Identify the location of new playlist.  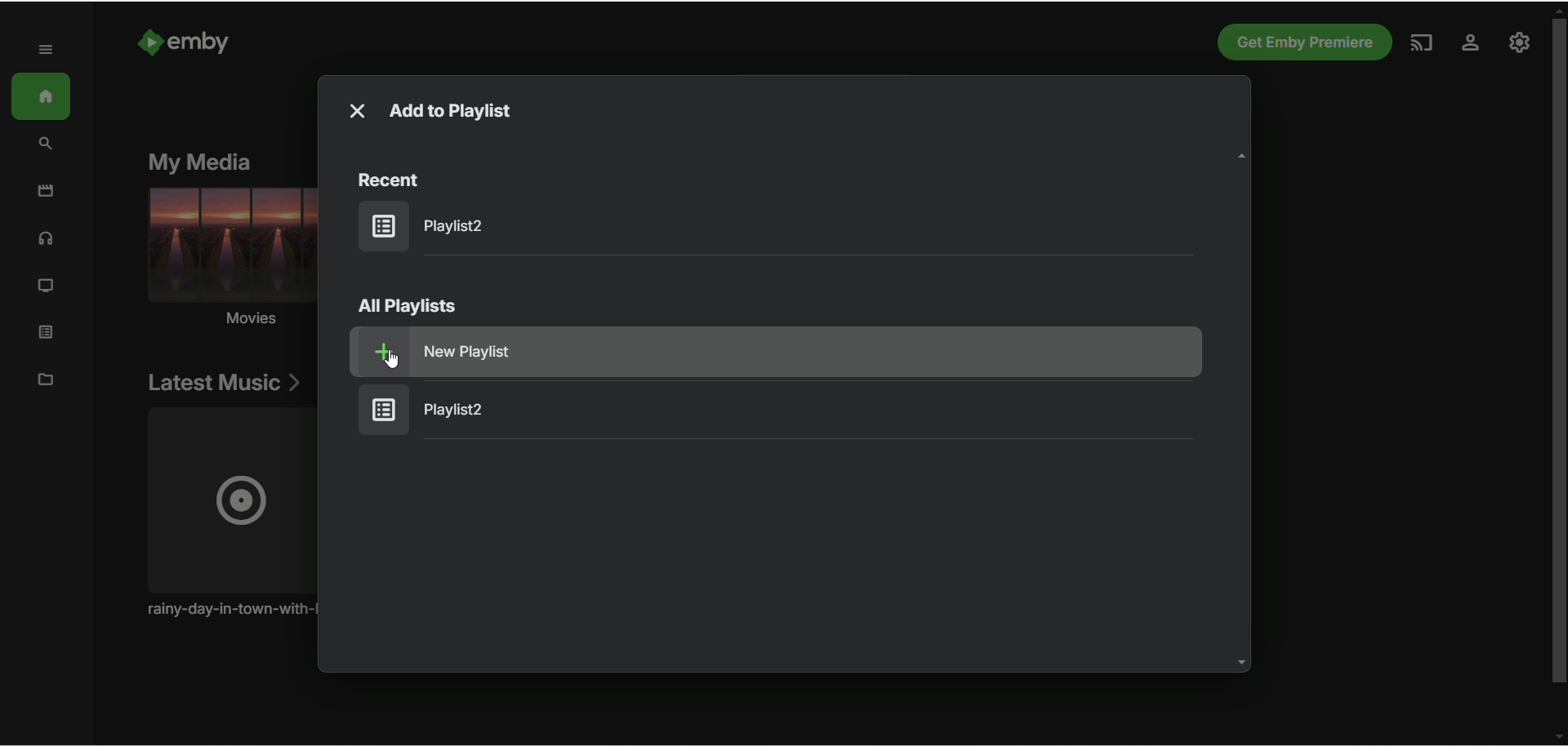
(808, 352).